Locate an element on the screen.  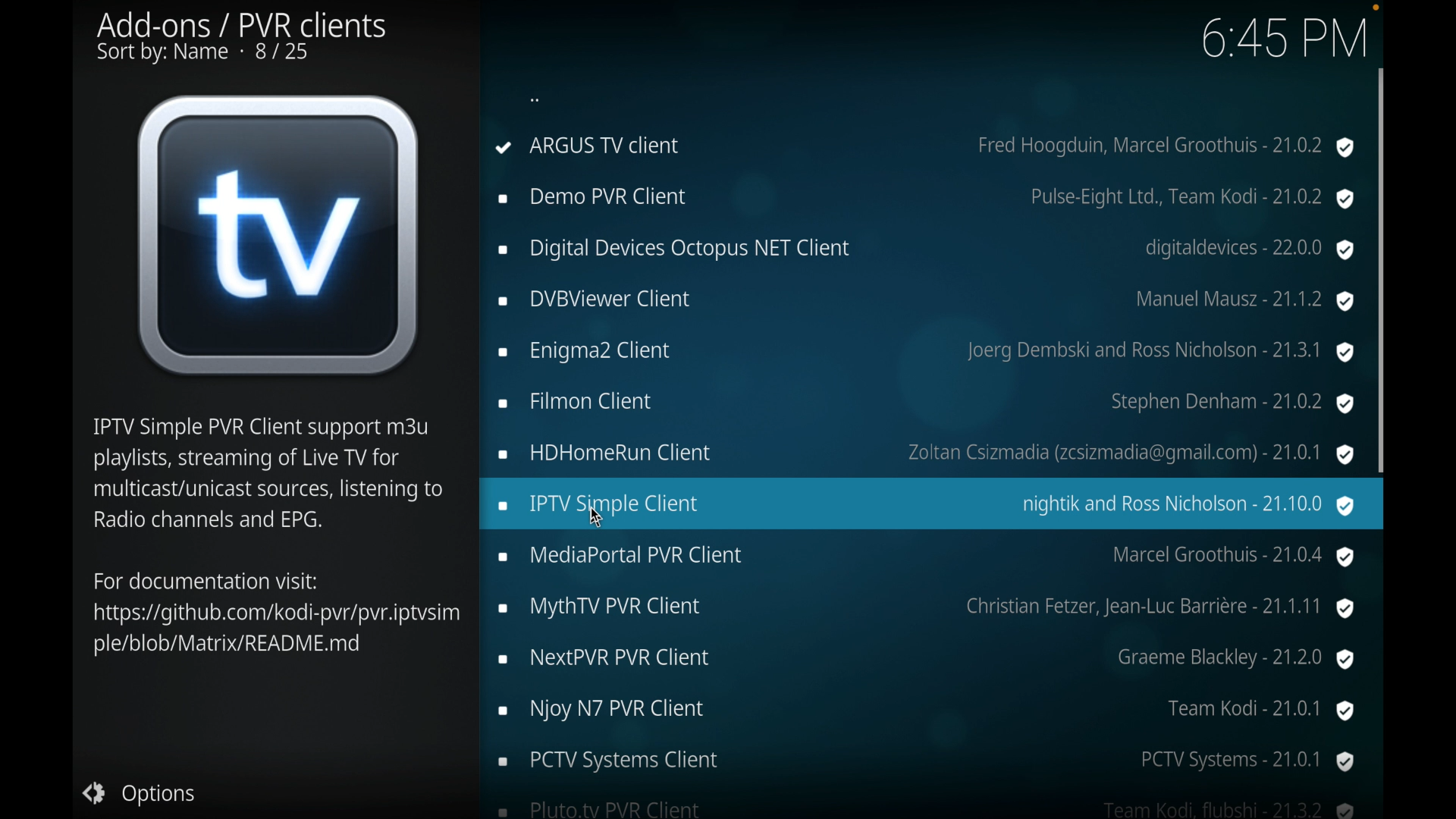
info is located at coordinates (278, 535).